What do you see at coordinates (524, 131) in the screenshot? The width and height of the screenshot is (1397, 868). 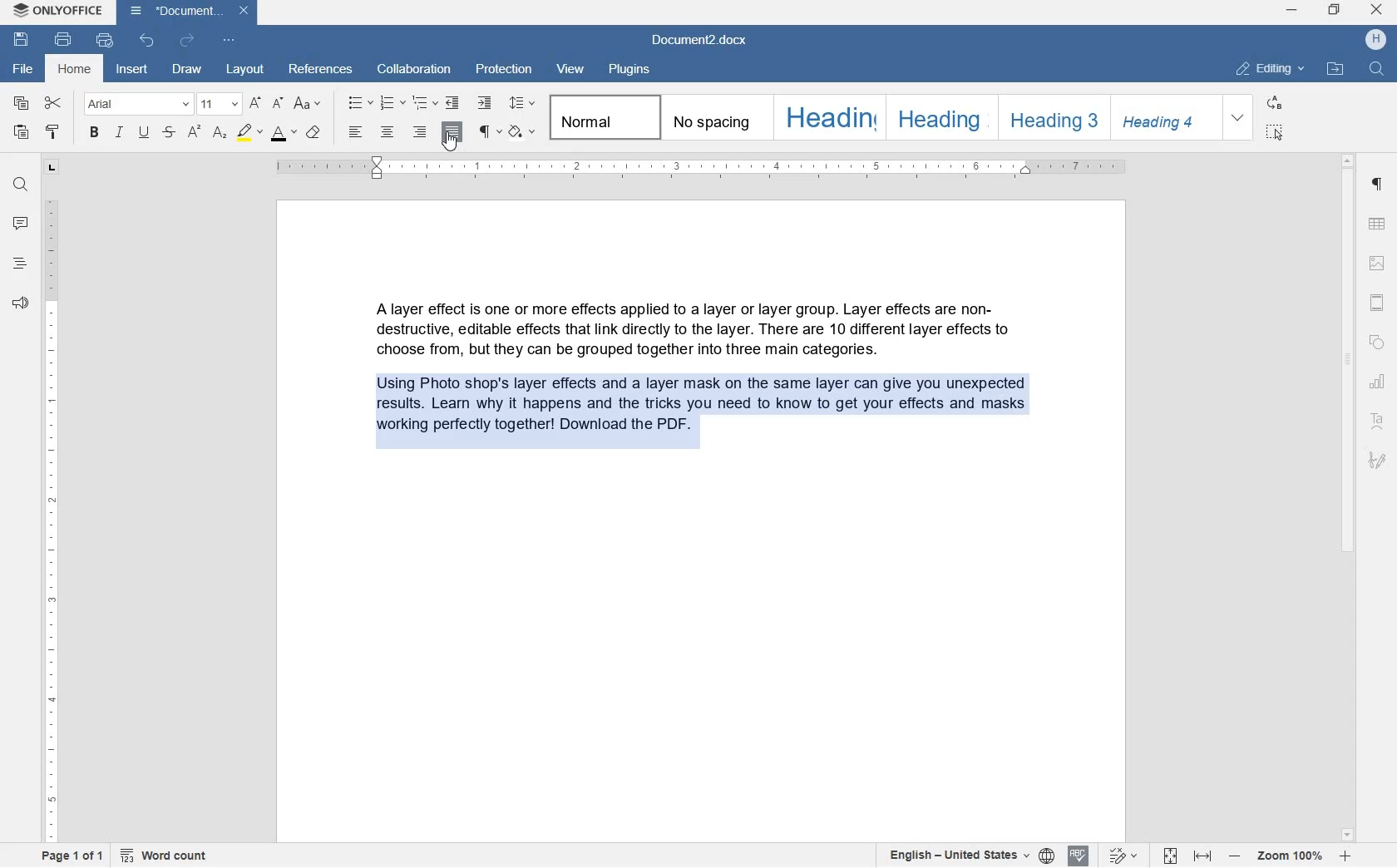 I see `SHADING` at bounding box center [524, 131].